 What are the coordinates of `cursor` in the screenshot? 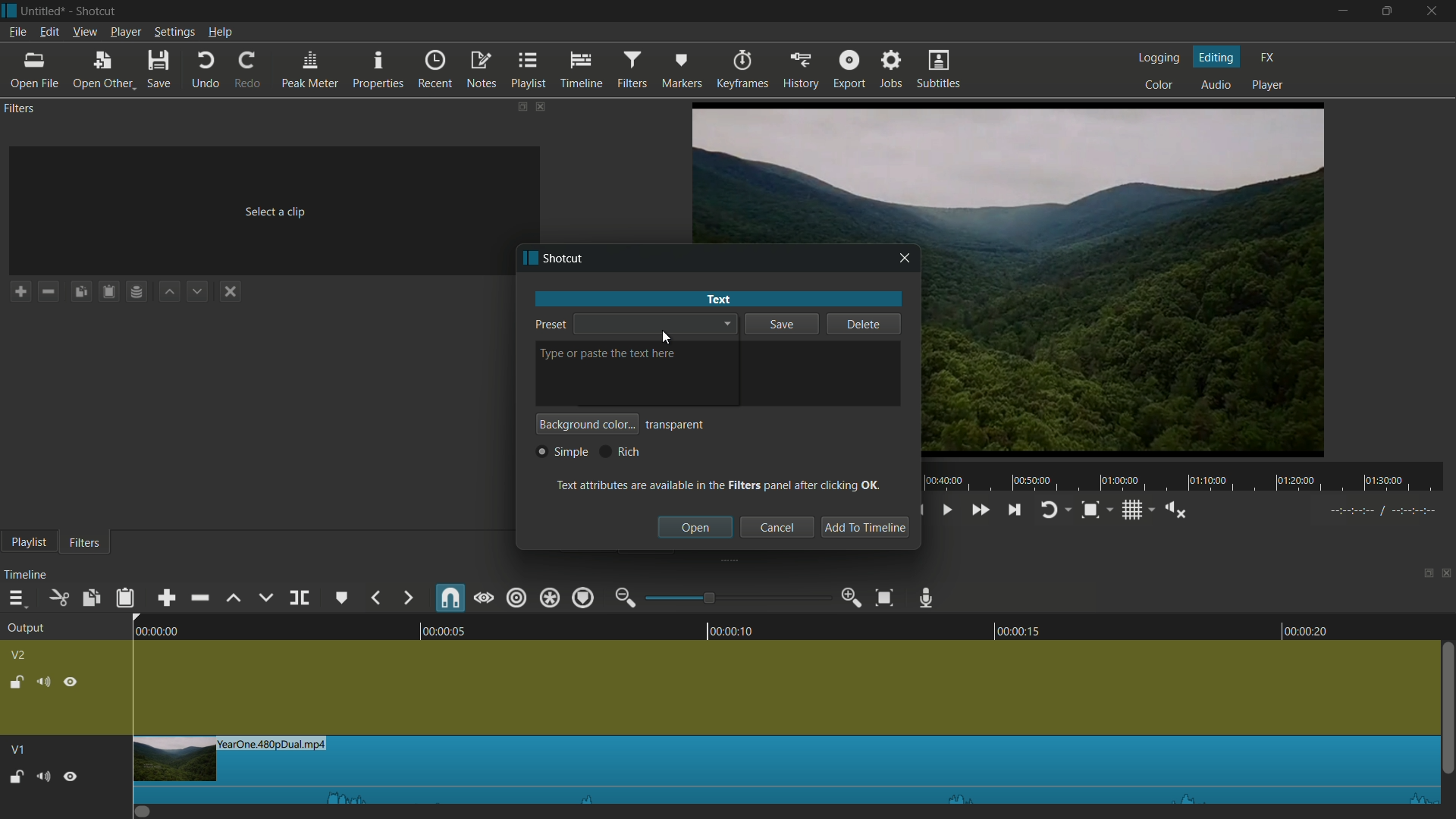 It's located at (668, 337).